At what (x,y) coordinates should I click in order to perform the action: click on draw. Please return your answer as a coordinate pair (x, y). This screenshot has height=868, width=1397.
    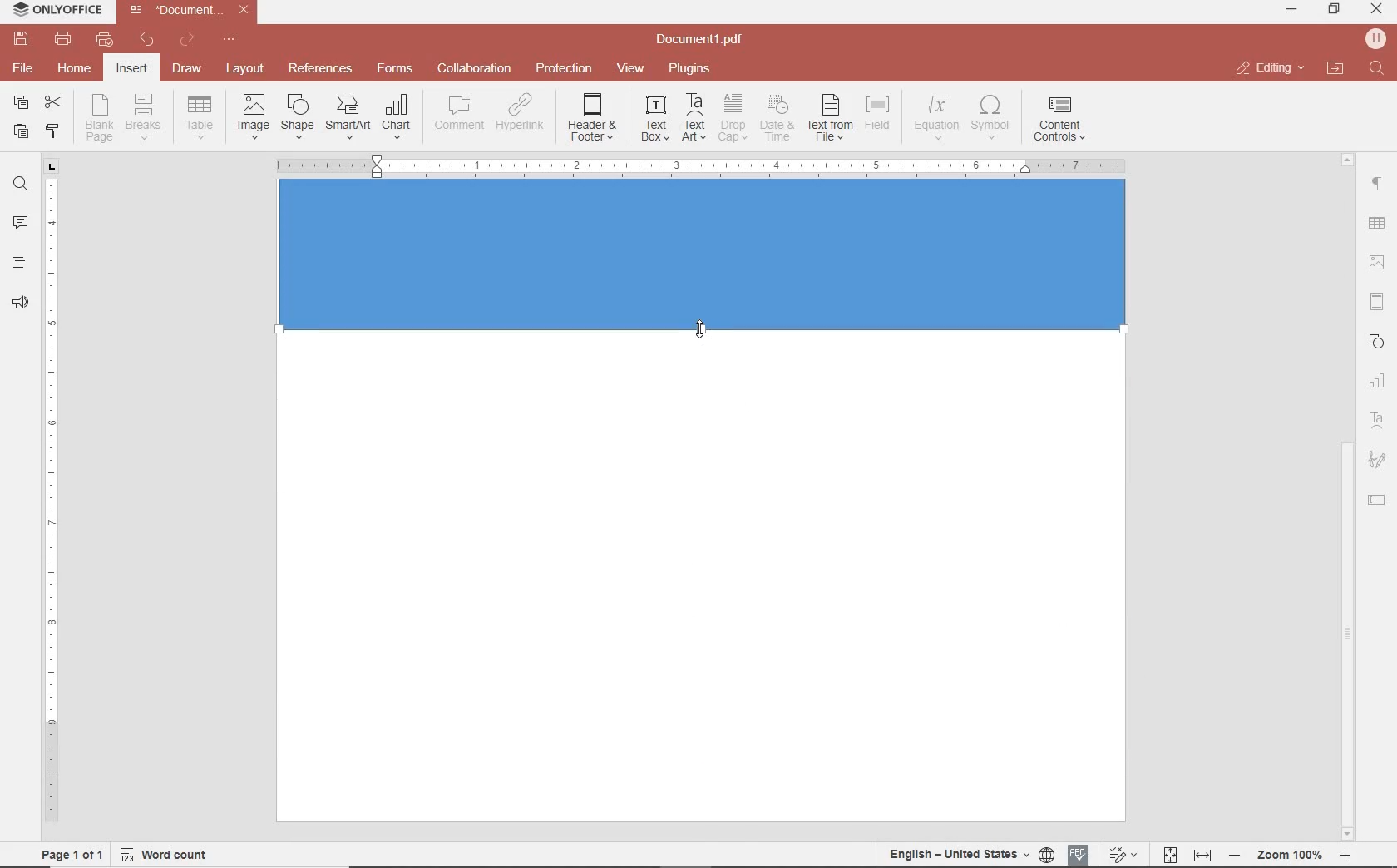
    Looking at the image, I should click on (188, 67).